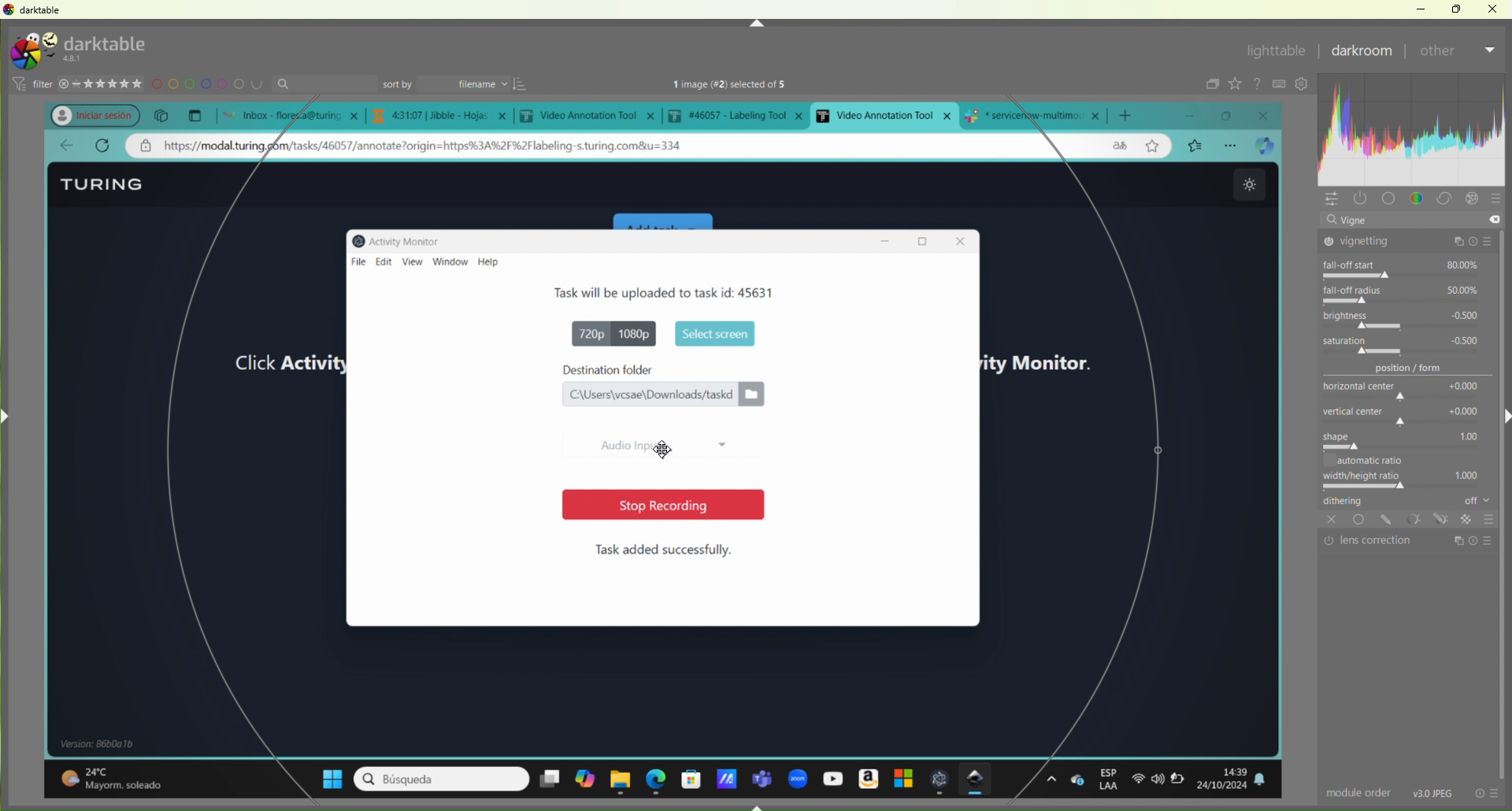 The width and height of the screenshot is (1512, 811). Describe the element at coordinates (884, 115) in the screenshot. I see `current open tab` at that location.